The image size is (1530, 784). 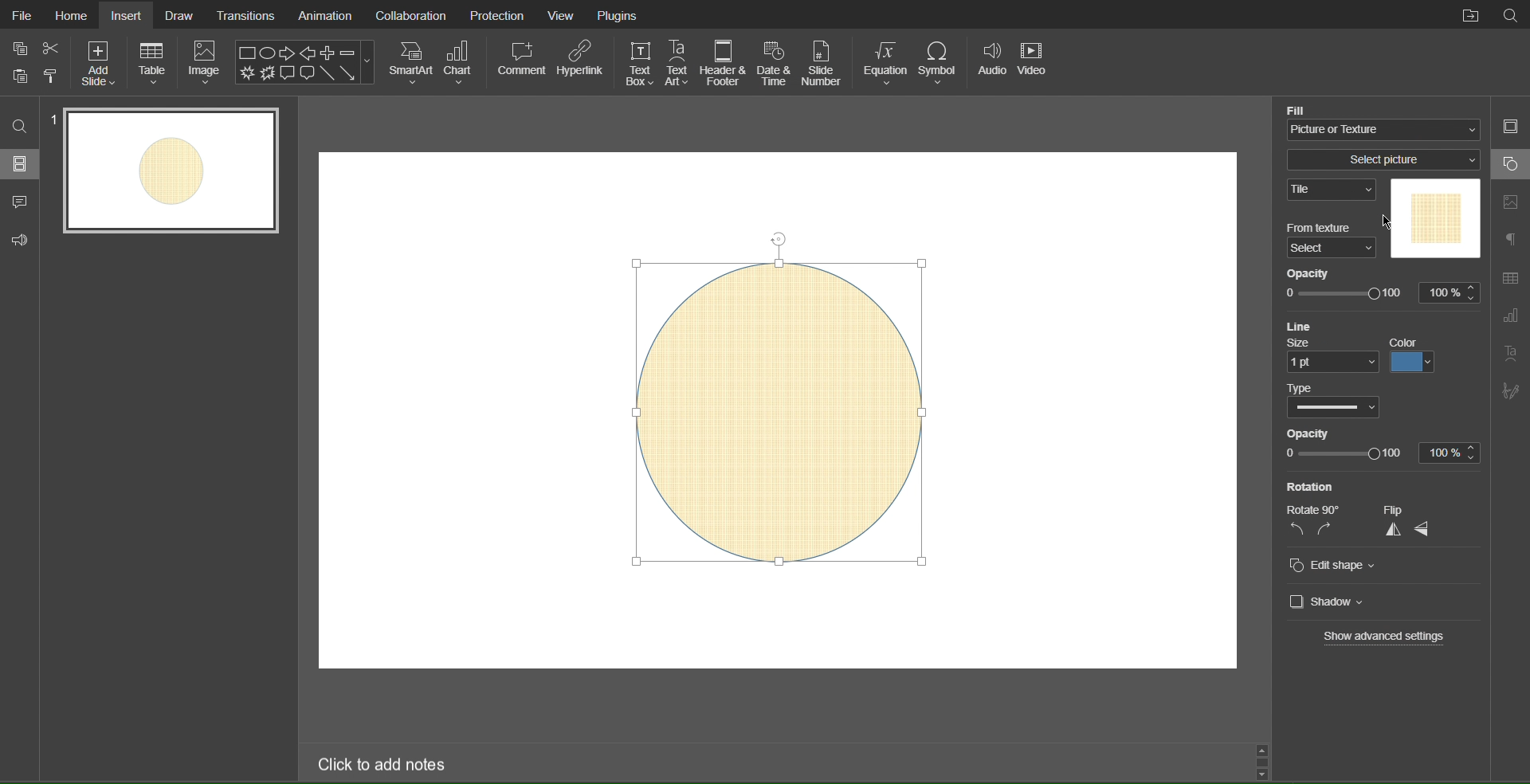 I want to click on Animation, so click(x=324, y=16).